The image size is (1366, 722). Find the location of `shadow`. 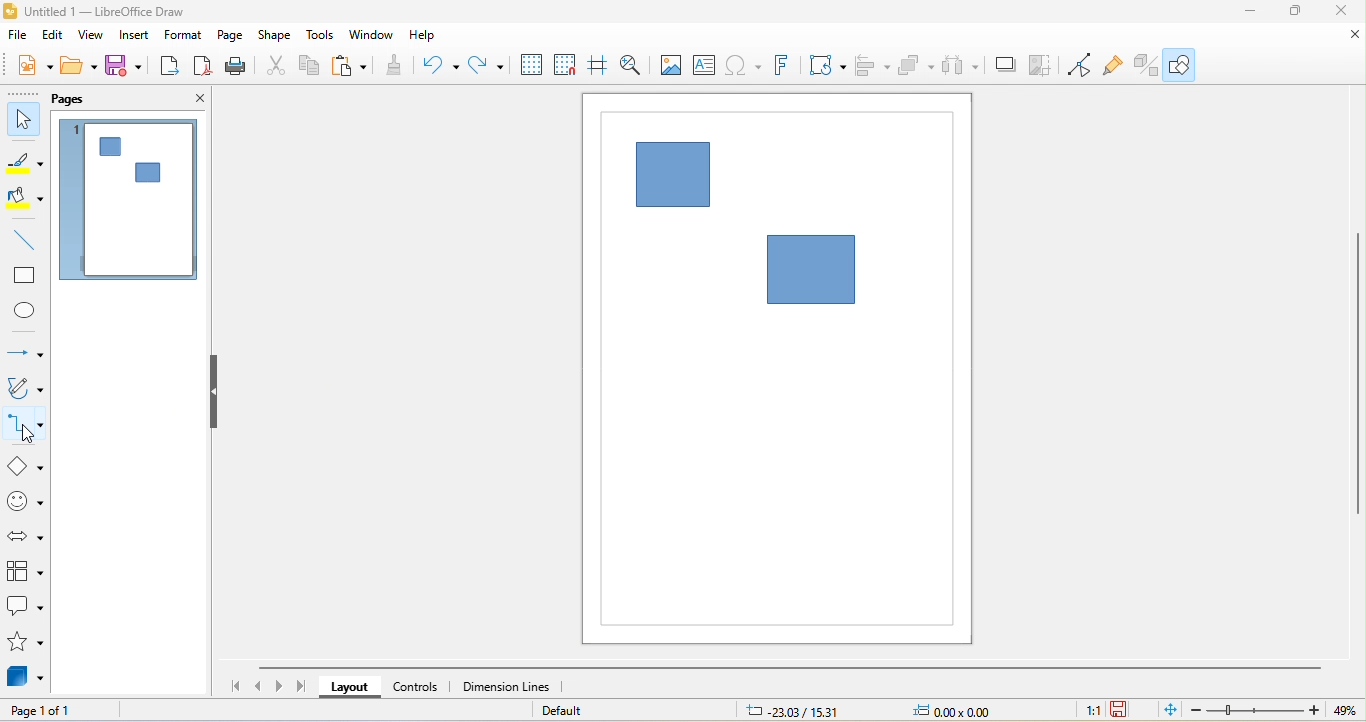

shadow is located at coordinates (1003, 66).